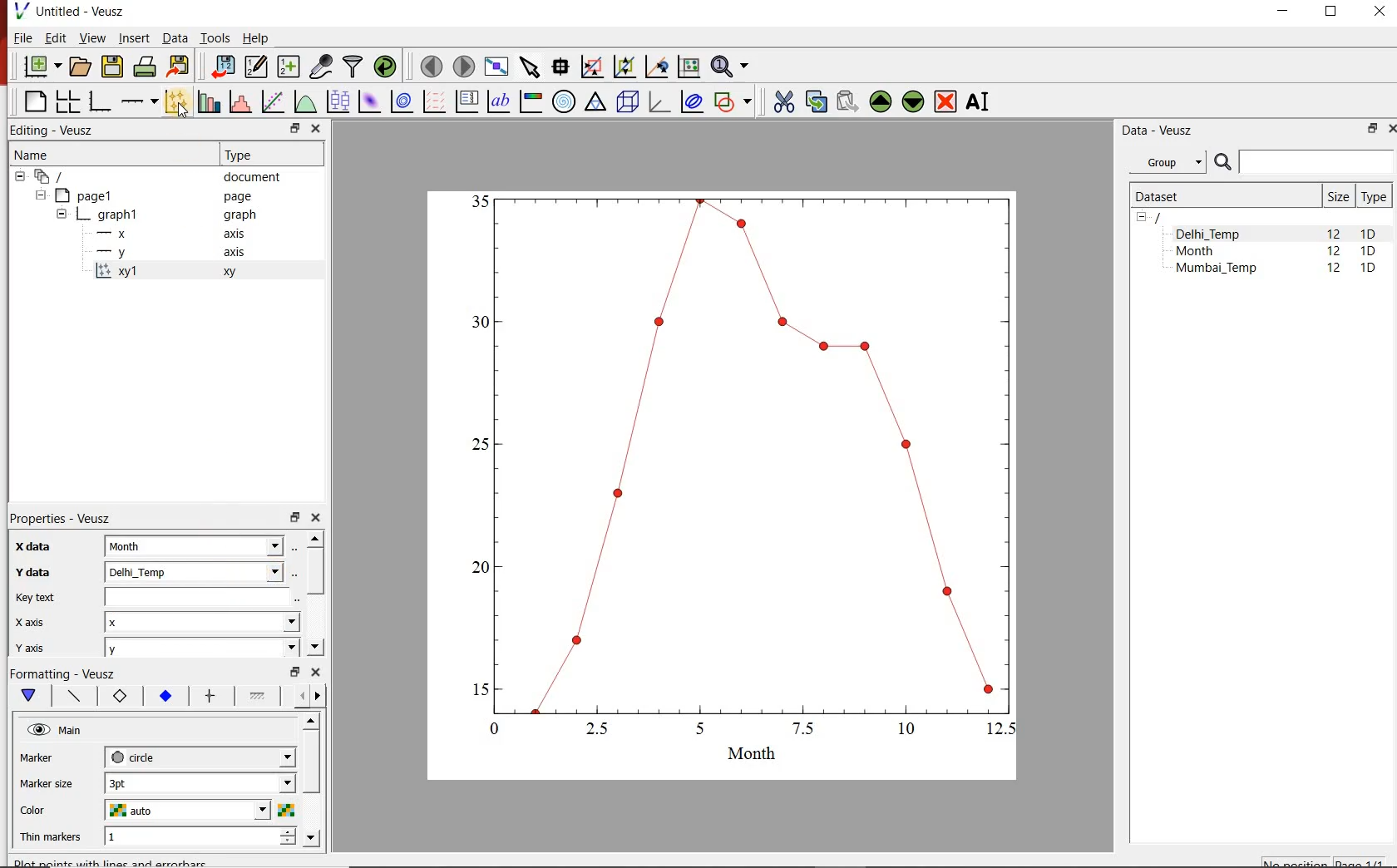  What do you see at coordinates (111, 67) in the screenshot?
I see `save the document` at bounding box center [111, 67].